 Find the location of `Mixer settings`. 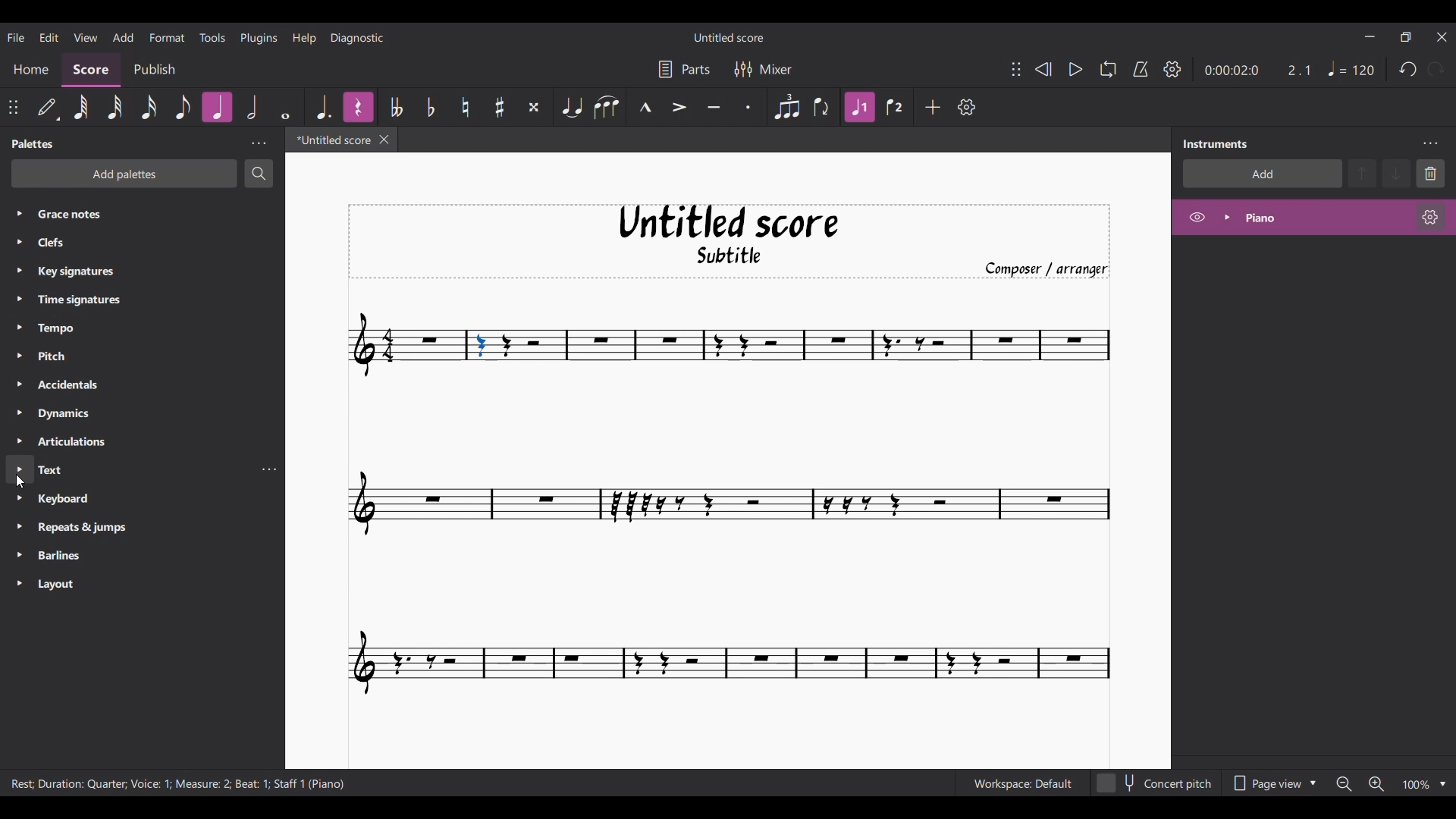

Mixer settings is located at coordinates (764, 70).